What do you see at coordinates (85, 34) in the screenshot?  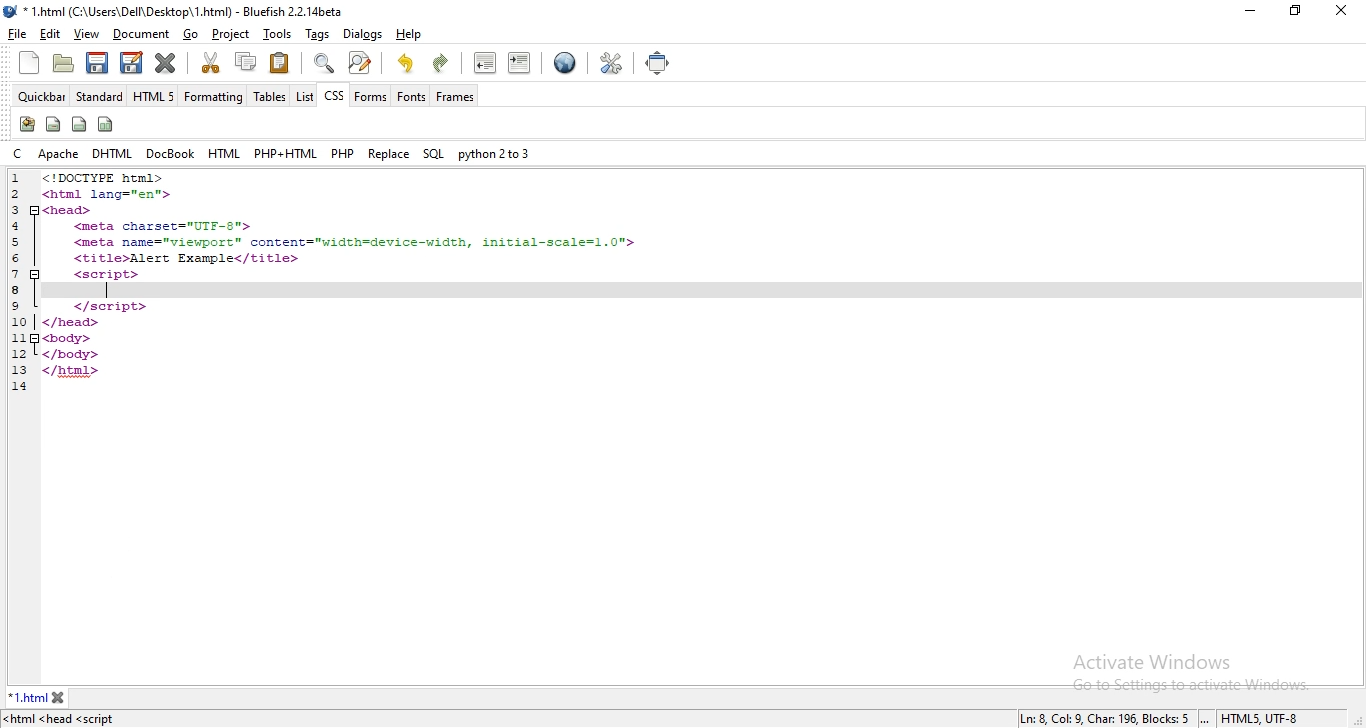 I see `view` at bounding box center [85, 34].